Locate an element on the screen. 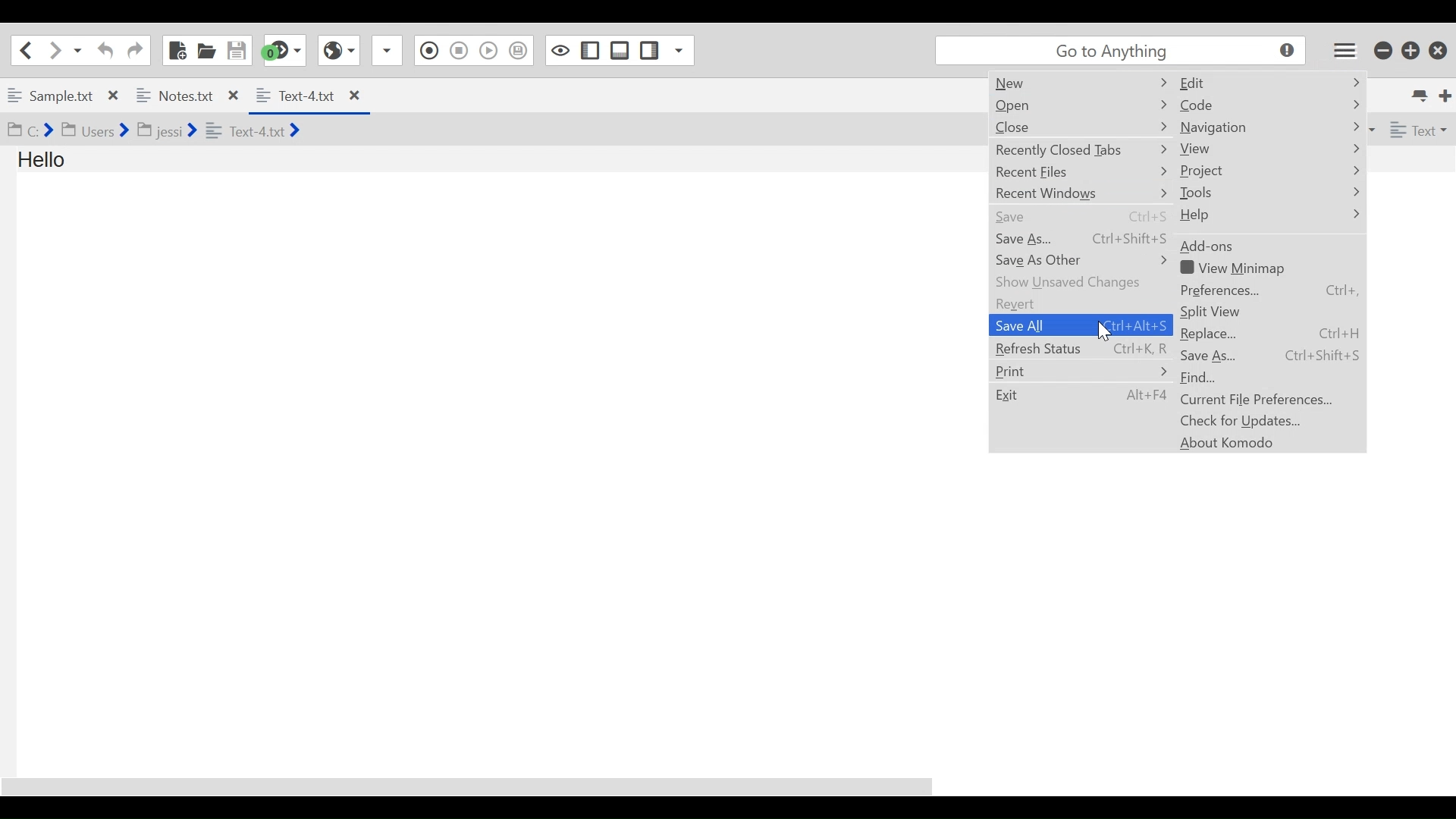 The image size is (1456, 819). View Minimap is located at coordinates (1269, 268).